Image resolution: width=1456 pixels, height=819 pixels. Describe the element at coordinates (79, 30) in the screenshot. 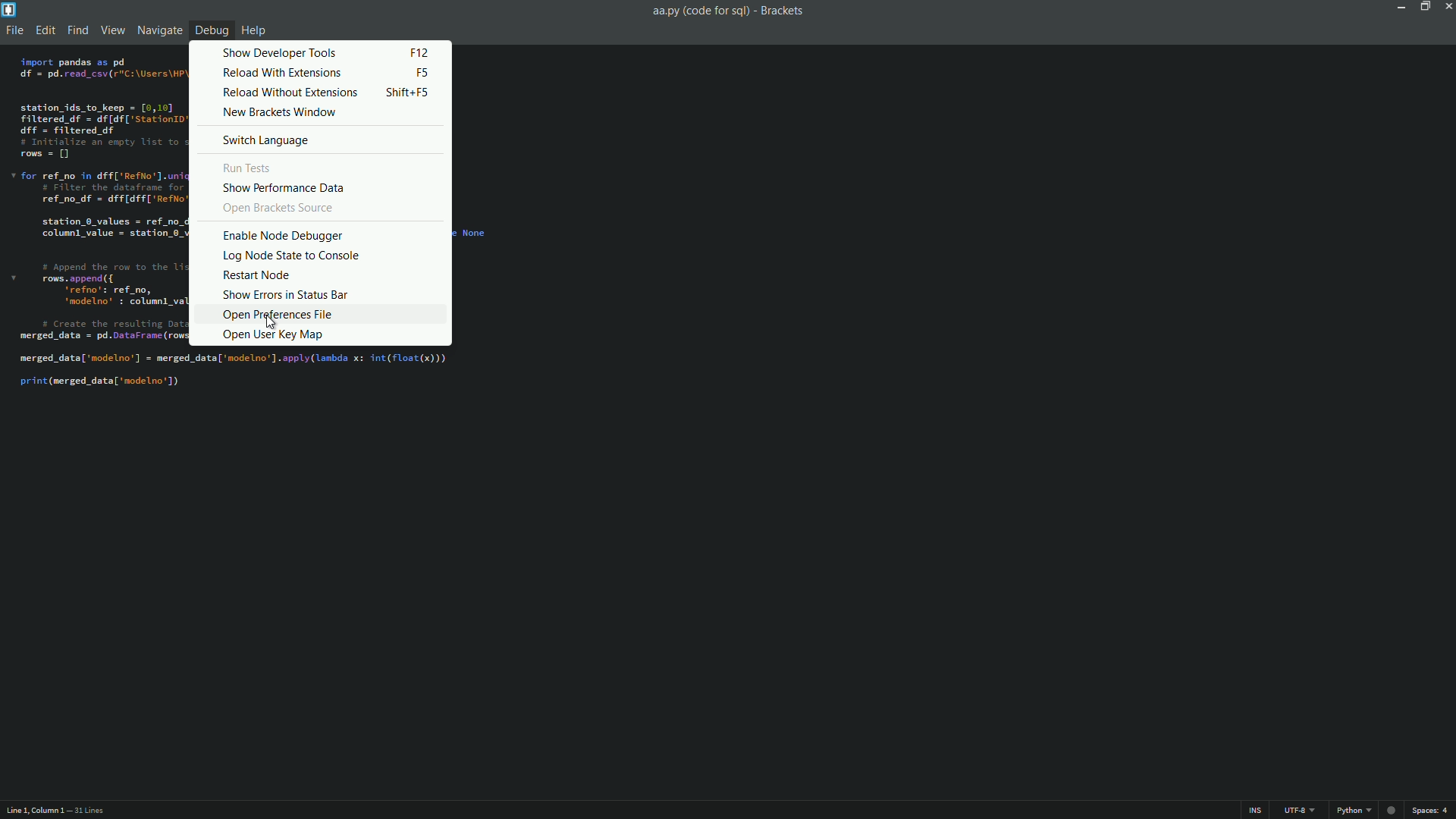

I see `find menu` at that location.